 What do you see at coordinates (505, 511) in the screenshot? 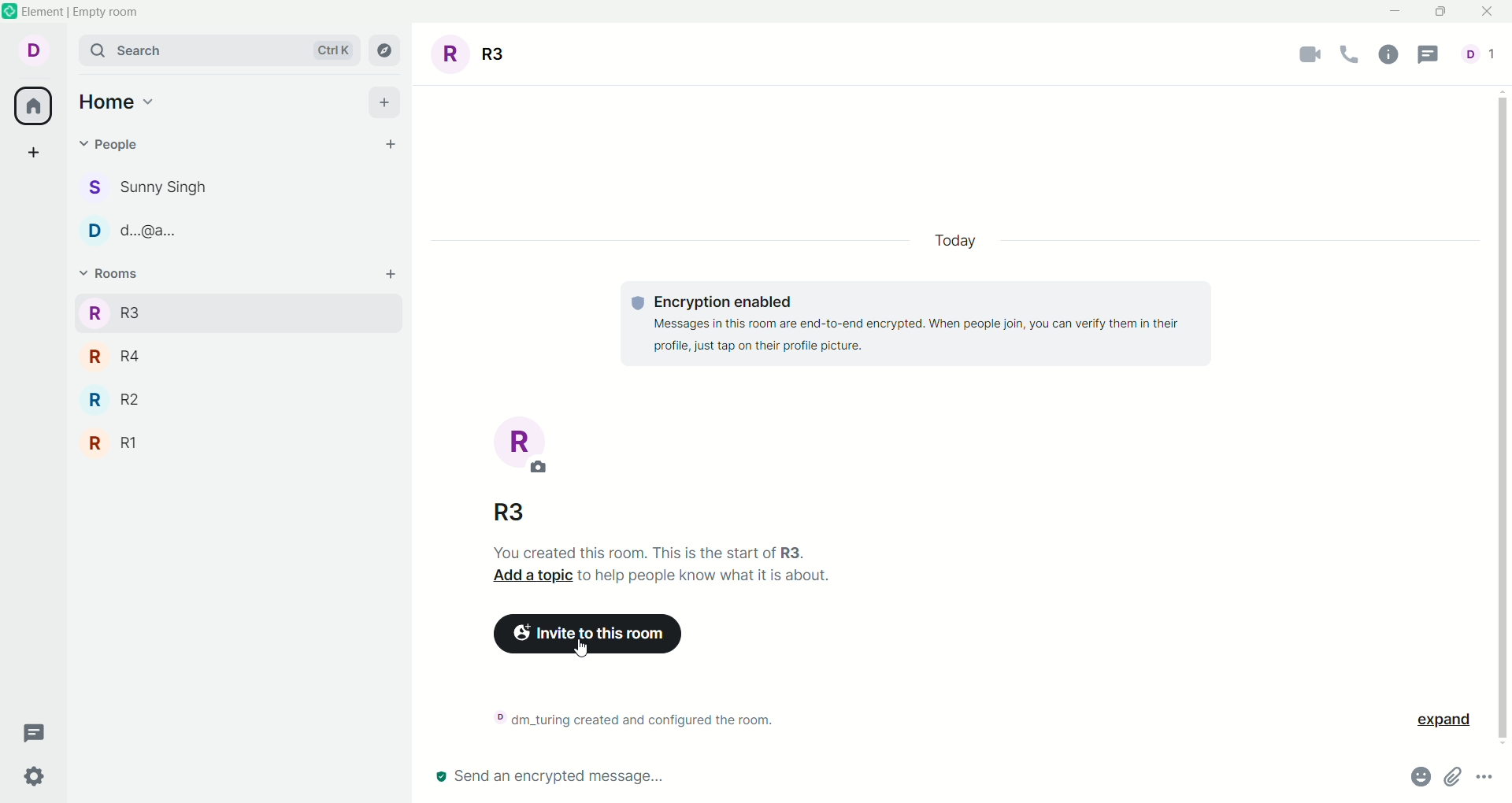
I see `R3` at bounding box center [505, 511].